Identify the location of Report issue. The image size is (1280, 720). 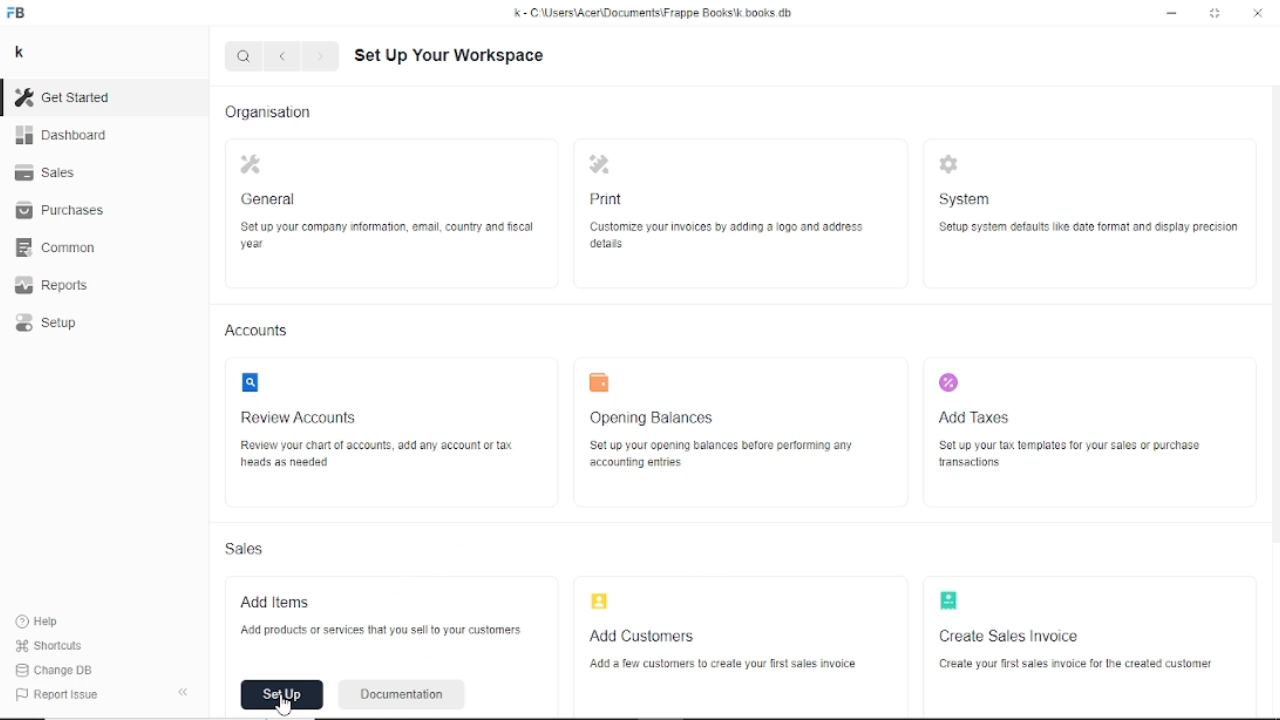
(54, 693).